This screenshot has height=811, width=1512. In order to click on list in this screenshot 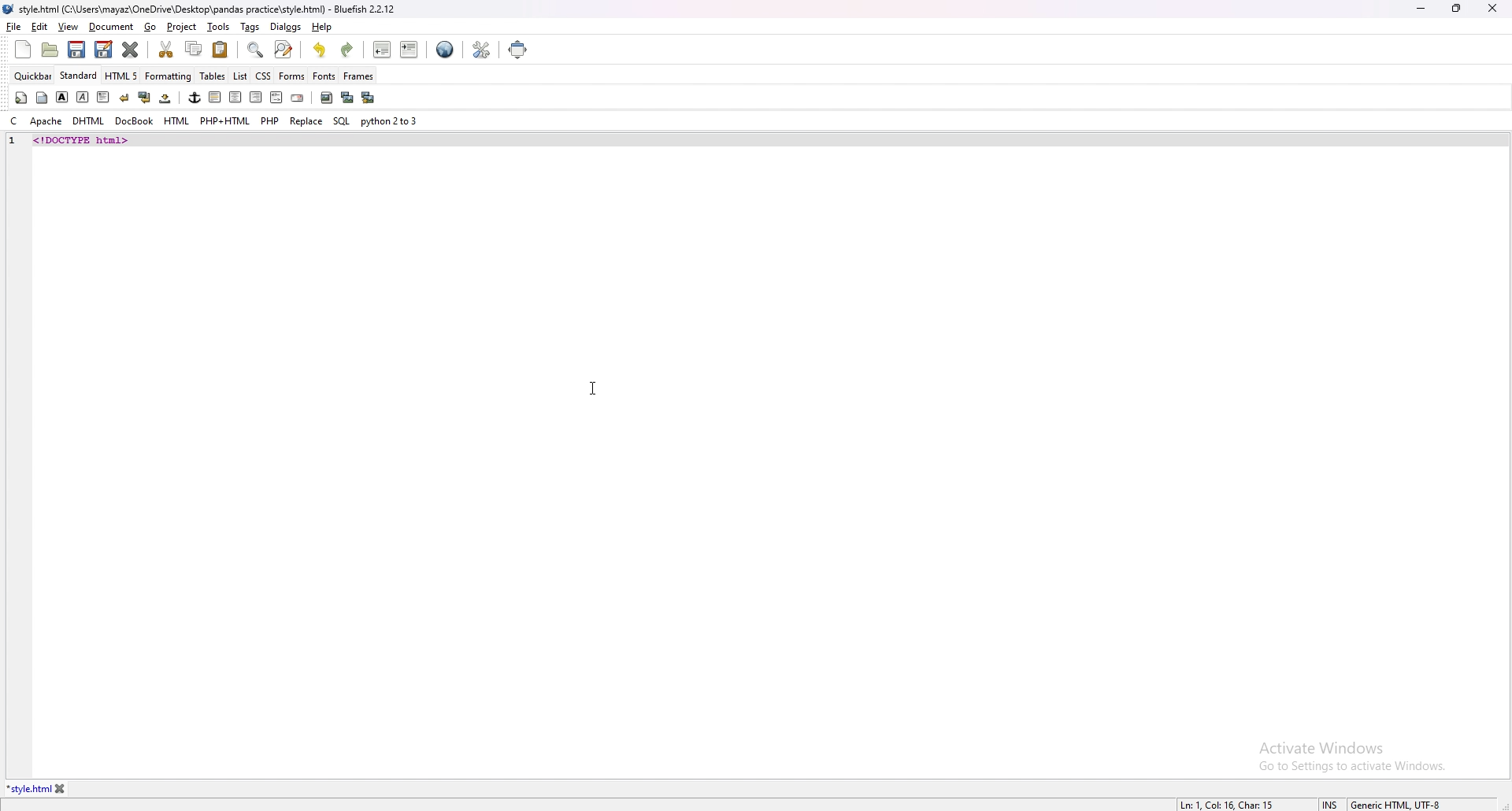, I will do `click(240, 75)`.